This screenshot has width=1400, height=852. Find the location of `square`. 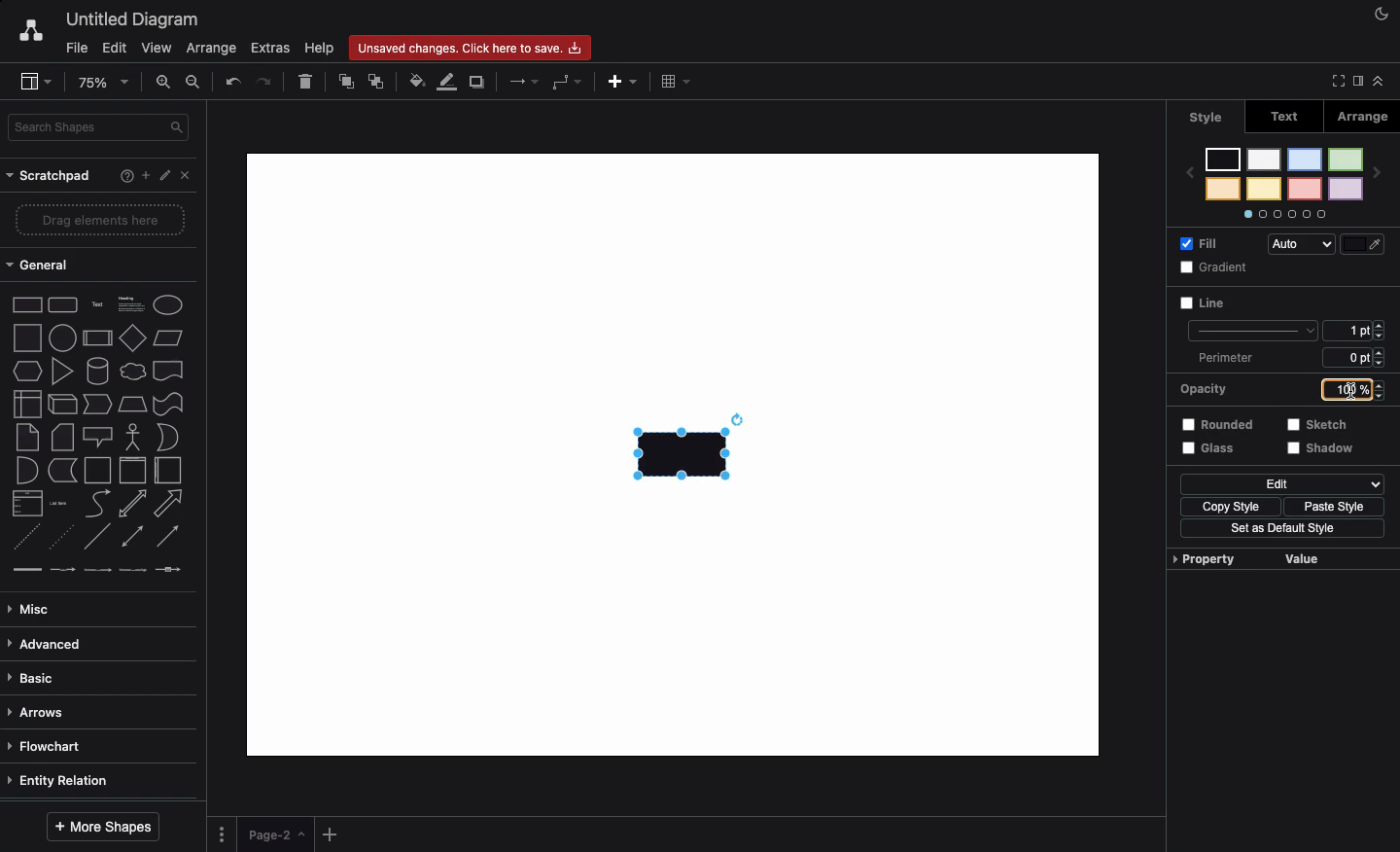

square is located at coordinates (29, 337).